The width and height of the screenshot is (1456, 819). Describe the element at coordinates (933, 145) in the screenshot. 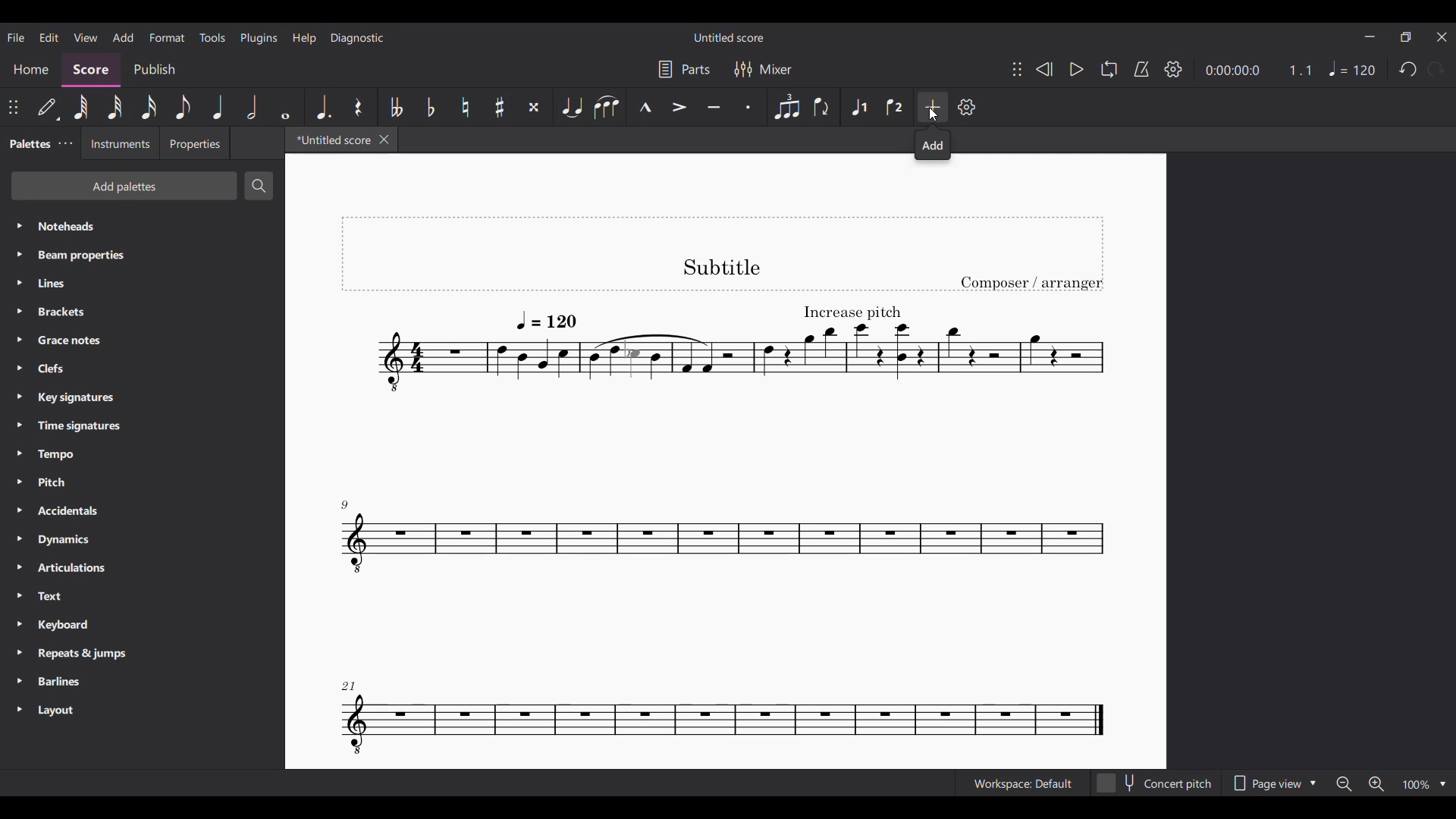

I see `Add` at that location.